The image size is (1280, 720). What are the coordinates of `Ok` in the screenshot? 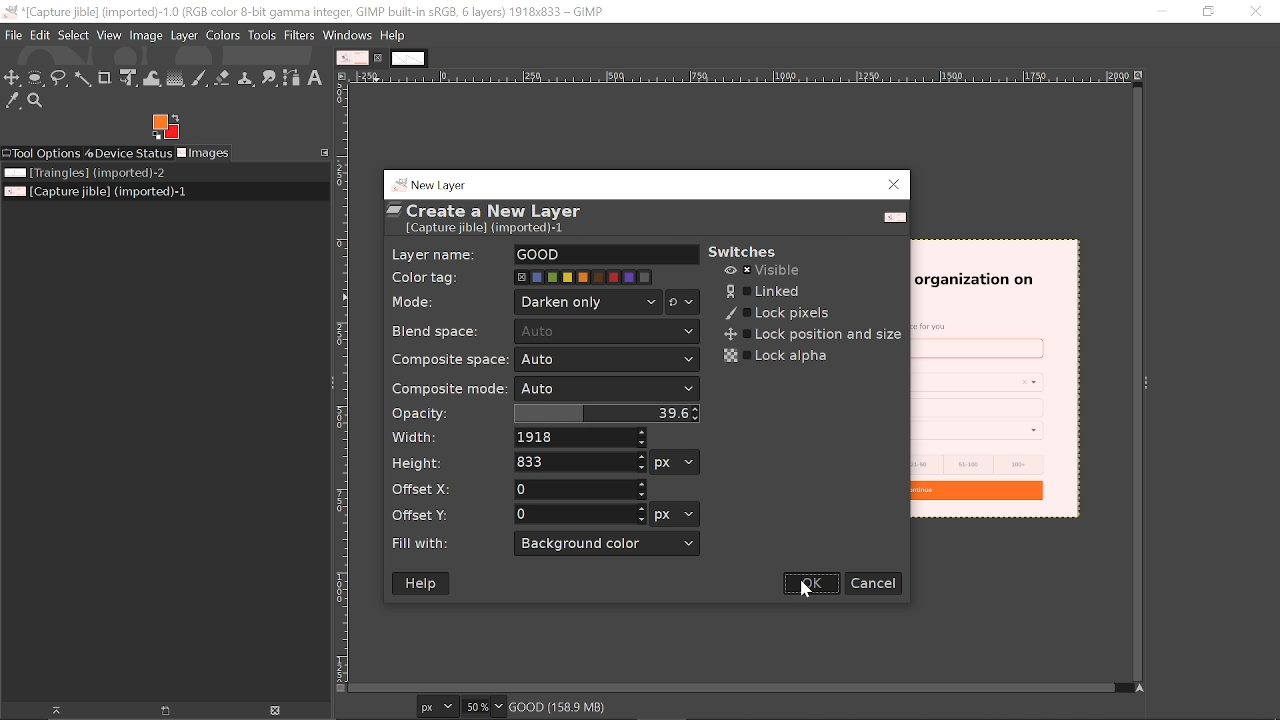 It's located at (813, 584).